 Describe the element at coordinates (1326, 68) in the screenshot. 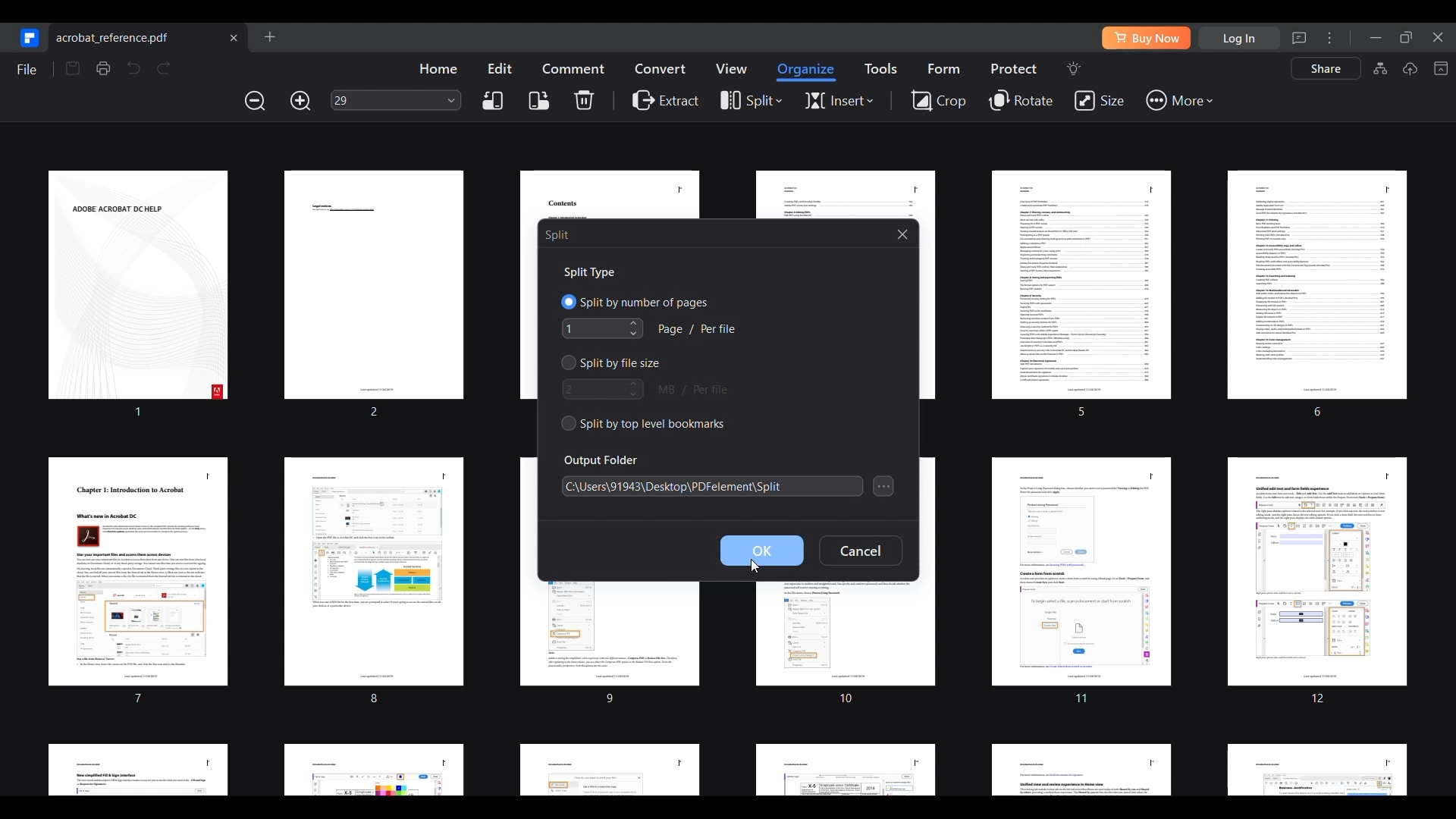

I see `Share` at that location.